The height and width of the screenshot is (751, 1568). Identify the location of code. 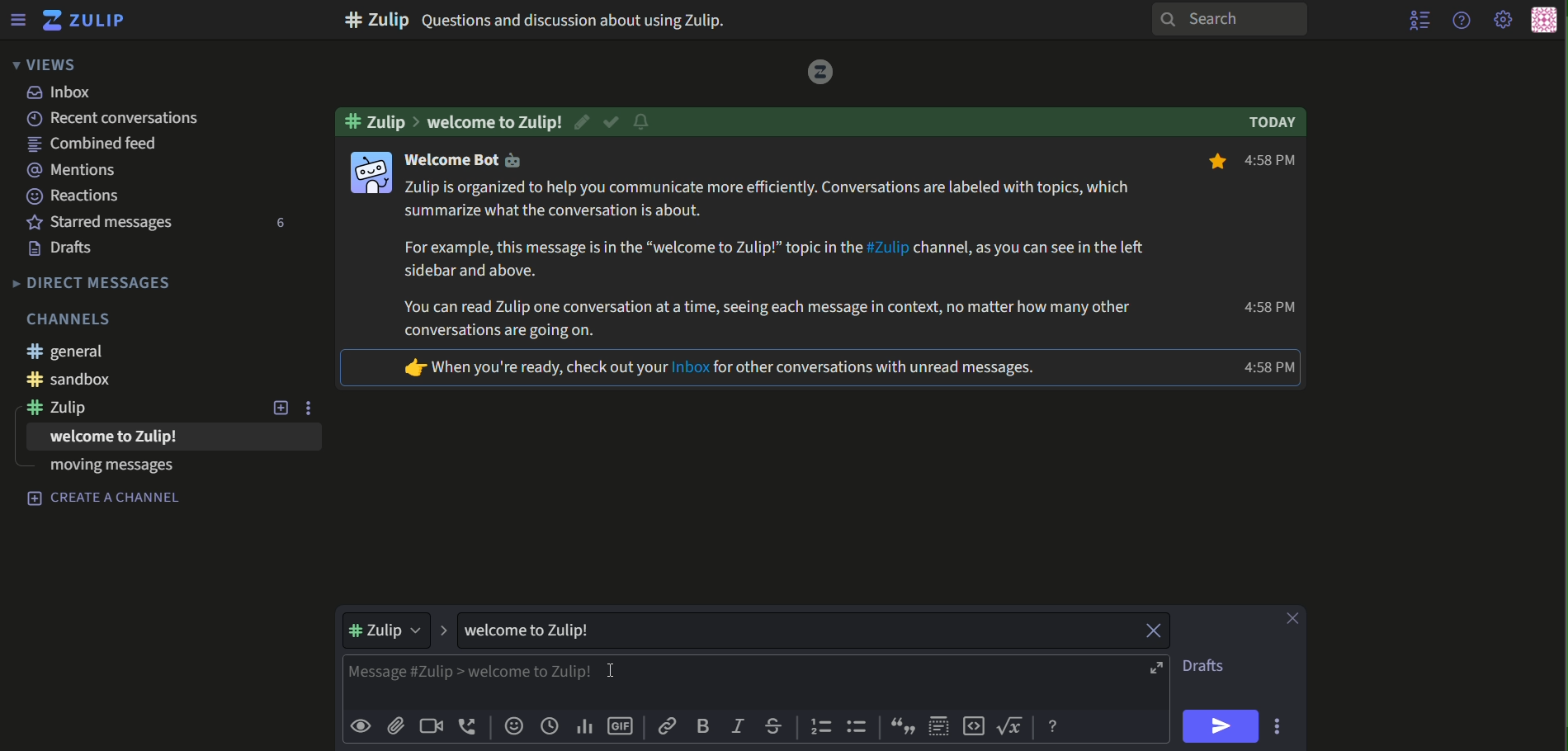
(974, 727).